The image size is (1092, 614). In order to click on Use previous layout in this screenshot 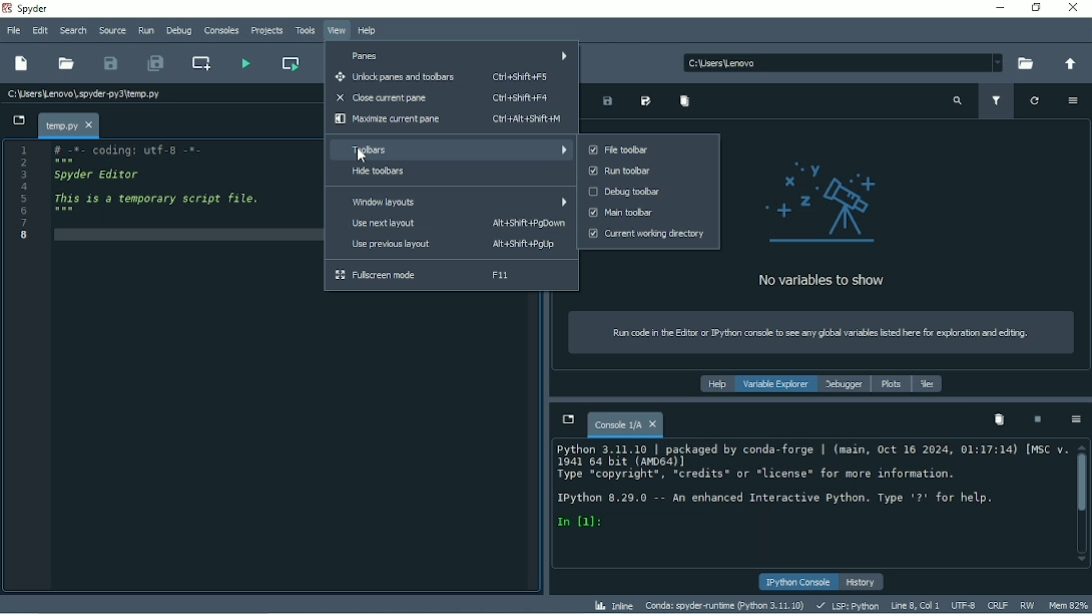, I will do `click(446, 245)`.